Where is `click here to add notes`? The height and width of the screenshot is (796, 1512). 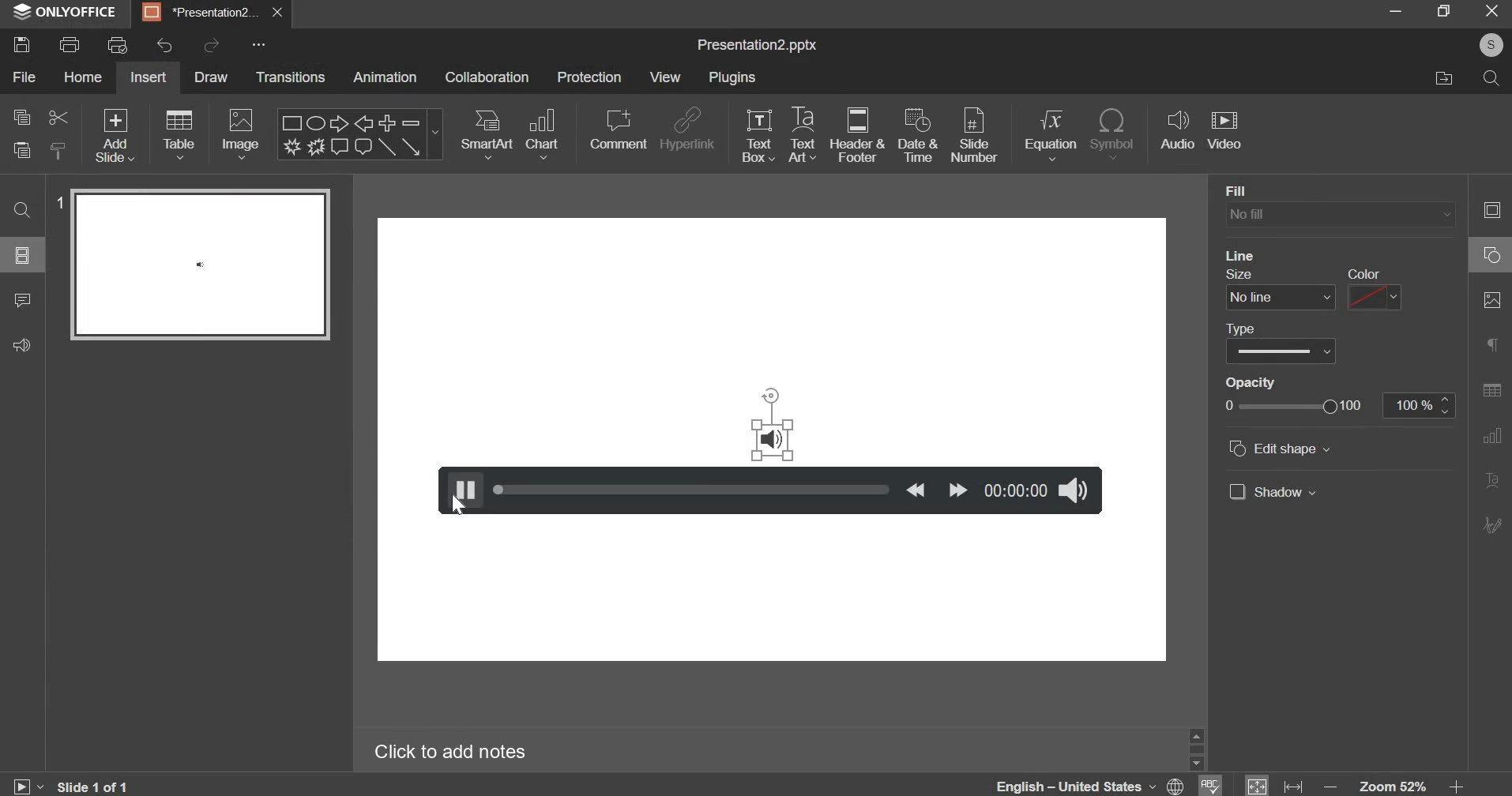 click here to add notes is located at coordinates (451, 749).